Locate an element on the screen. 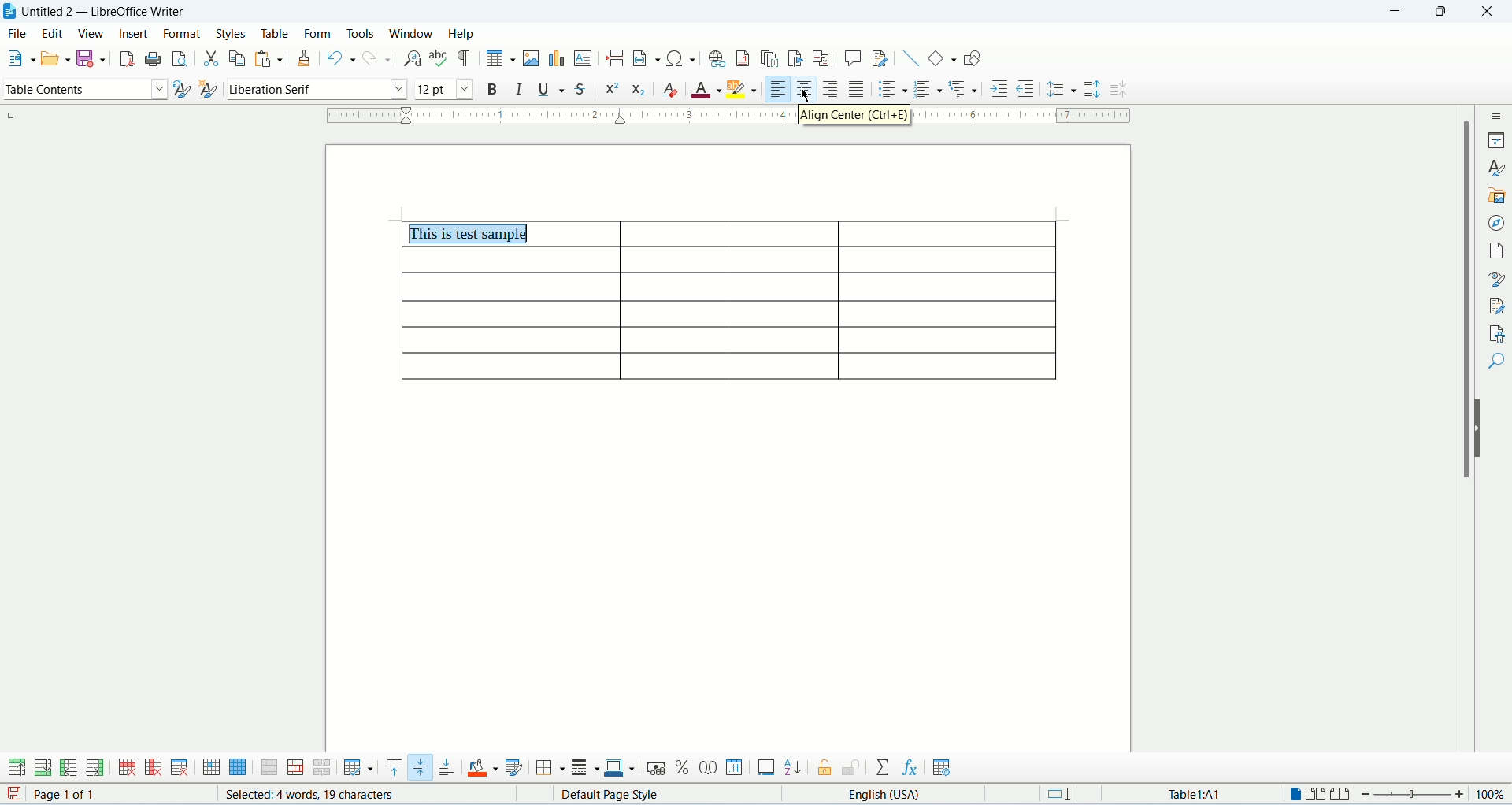  sidebar settings is located at coordinates (1495, 114).